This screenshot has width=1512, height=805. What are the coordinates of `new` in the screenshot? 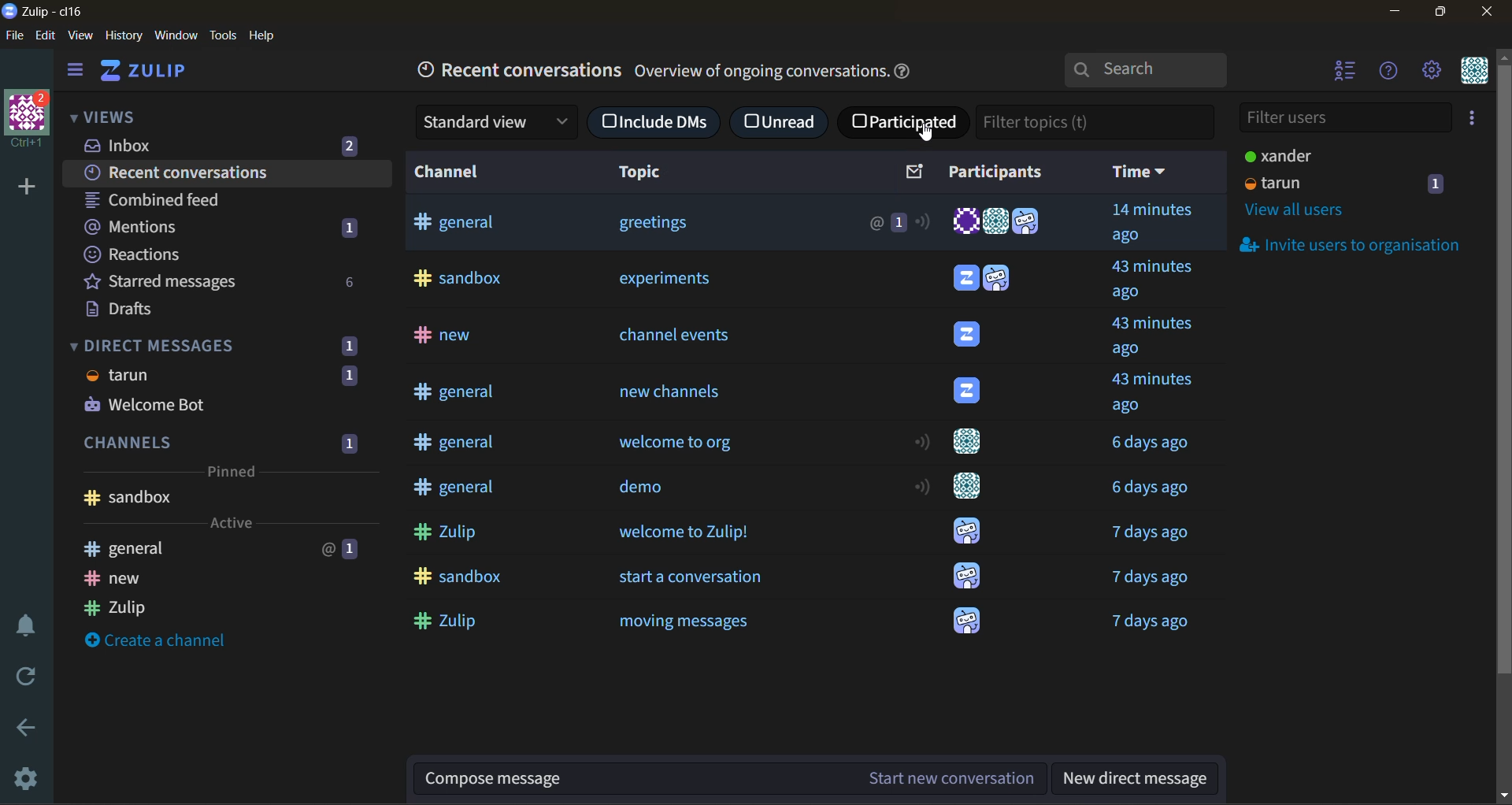 It's located at (216, 577).